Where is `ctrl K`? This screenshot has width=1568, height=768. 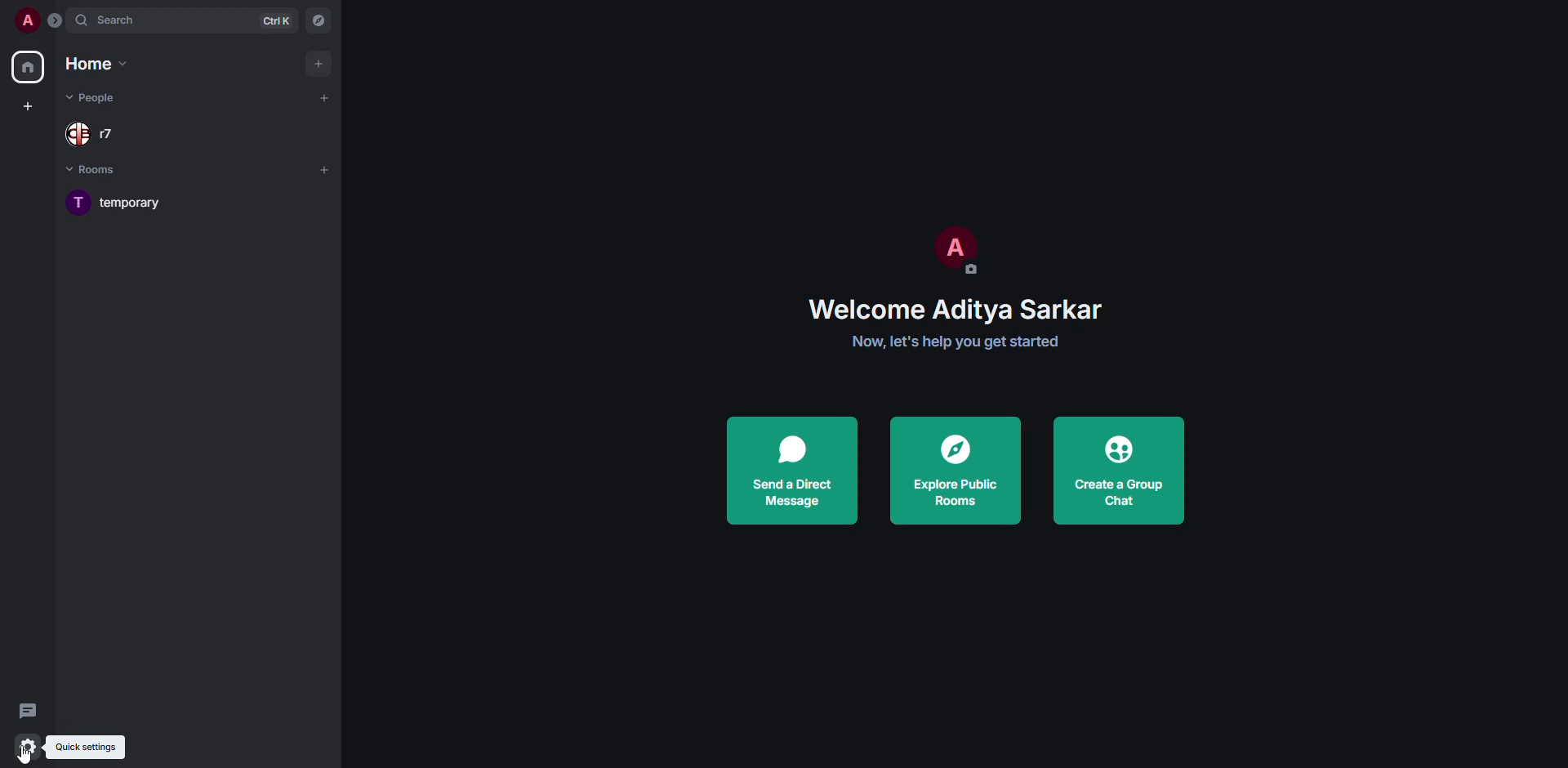
ctrl K is located at coordinates (279, 21).